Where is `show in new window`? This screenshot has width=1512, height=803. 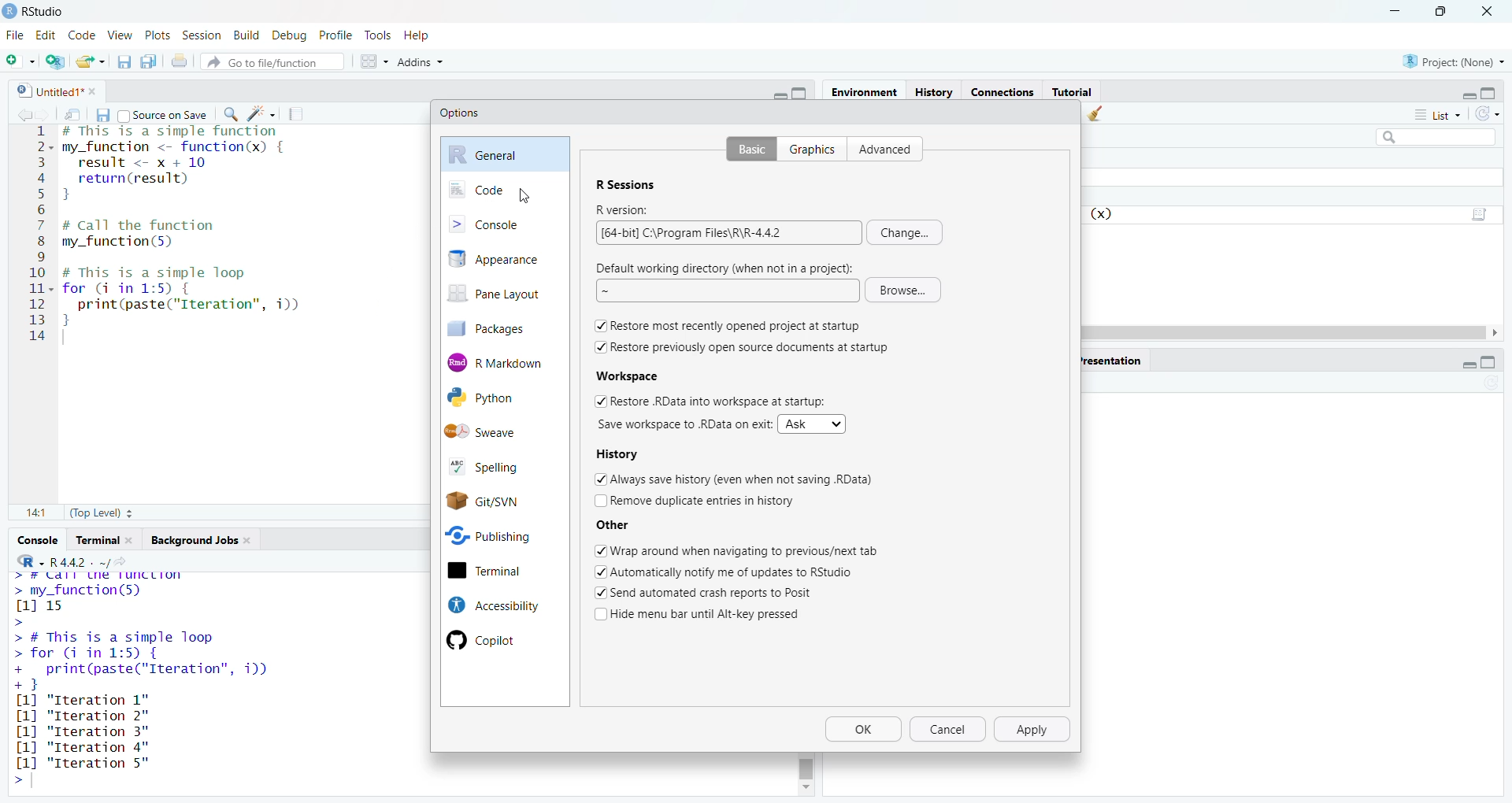 show in new window is located at coordinates (74, 113).